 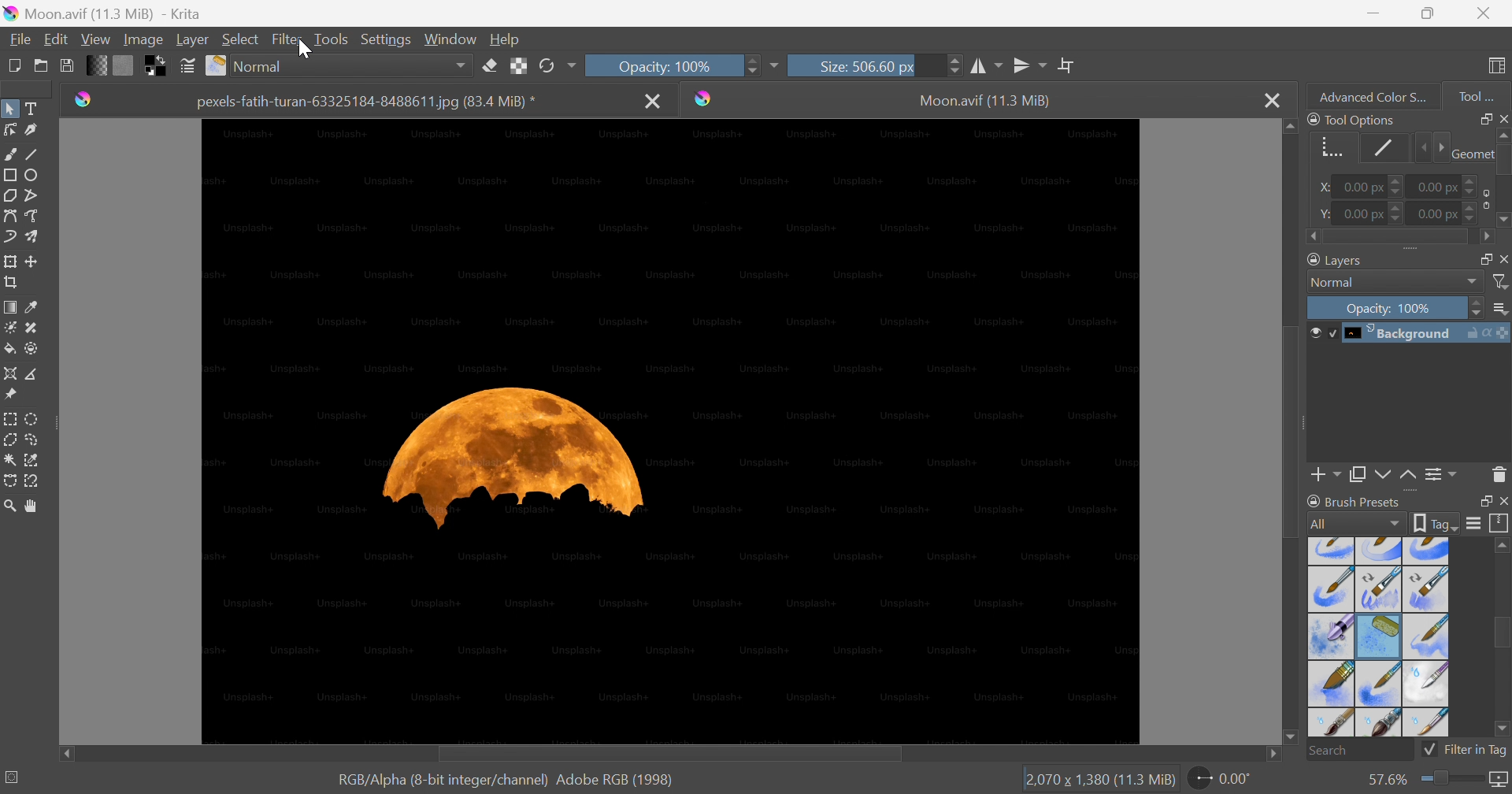 What do you see at coordinates (986, 102) in the screenshot?
I see `Moon.avif (11.3 MiB)` at bounding box center [986, 102].